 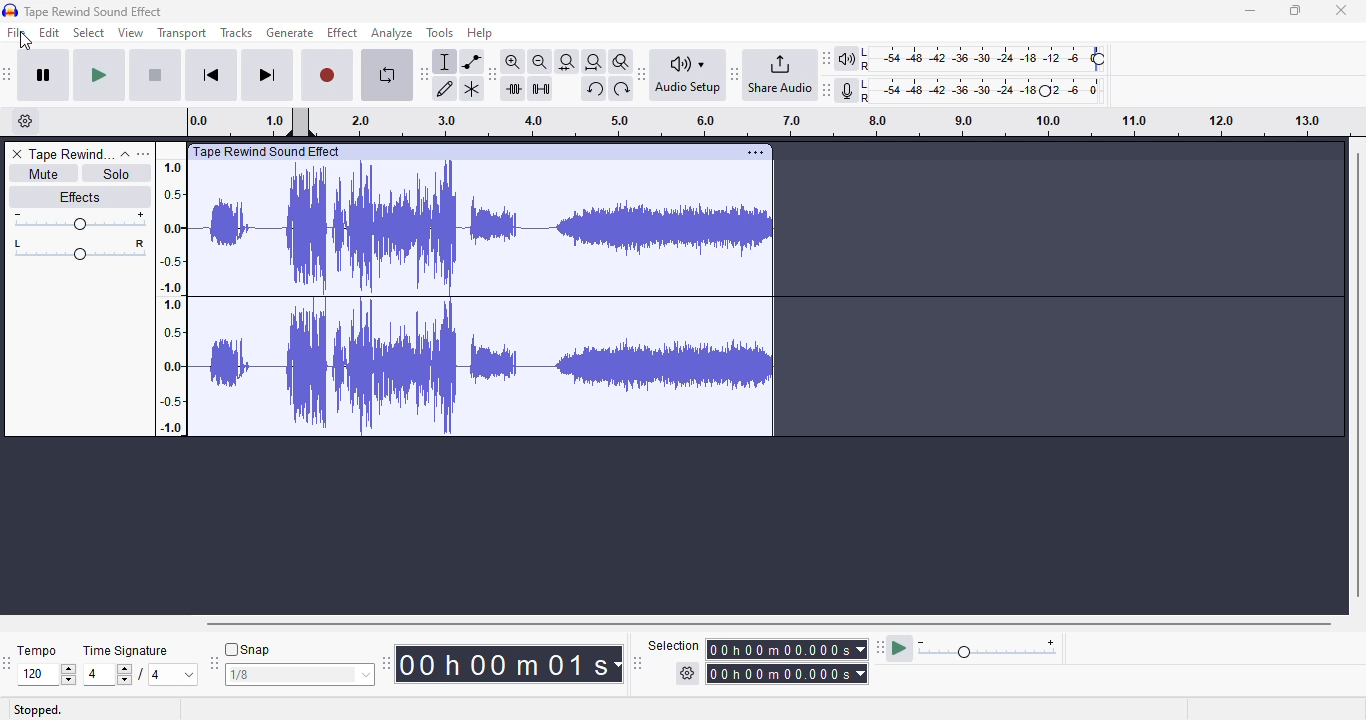 I want to click on fit project to width, so click(x=594, y=61).